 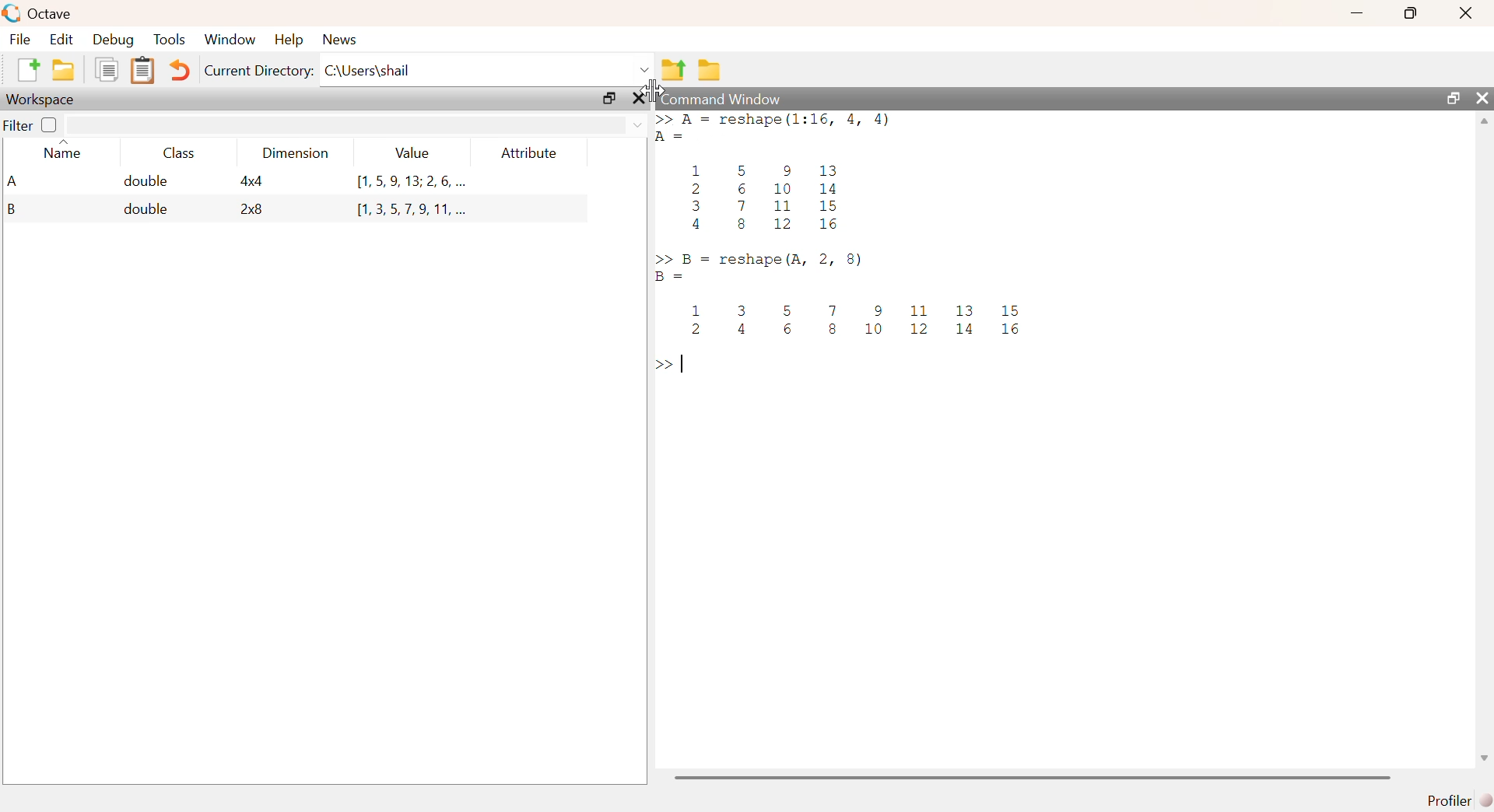 What do you see at coordinates (22, 40) in the screenshot?
I see `File` at bounding box center [22, 40].